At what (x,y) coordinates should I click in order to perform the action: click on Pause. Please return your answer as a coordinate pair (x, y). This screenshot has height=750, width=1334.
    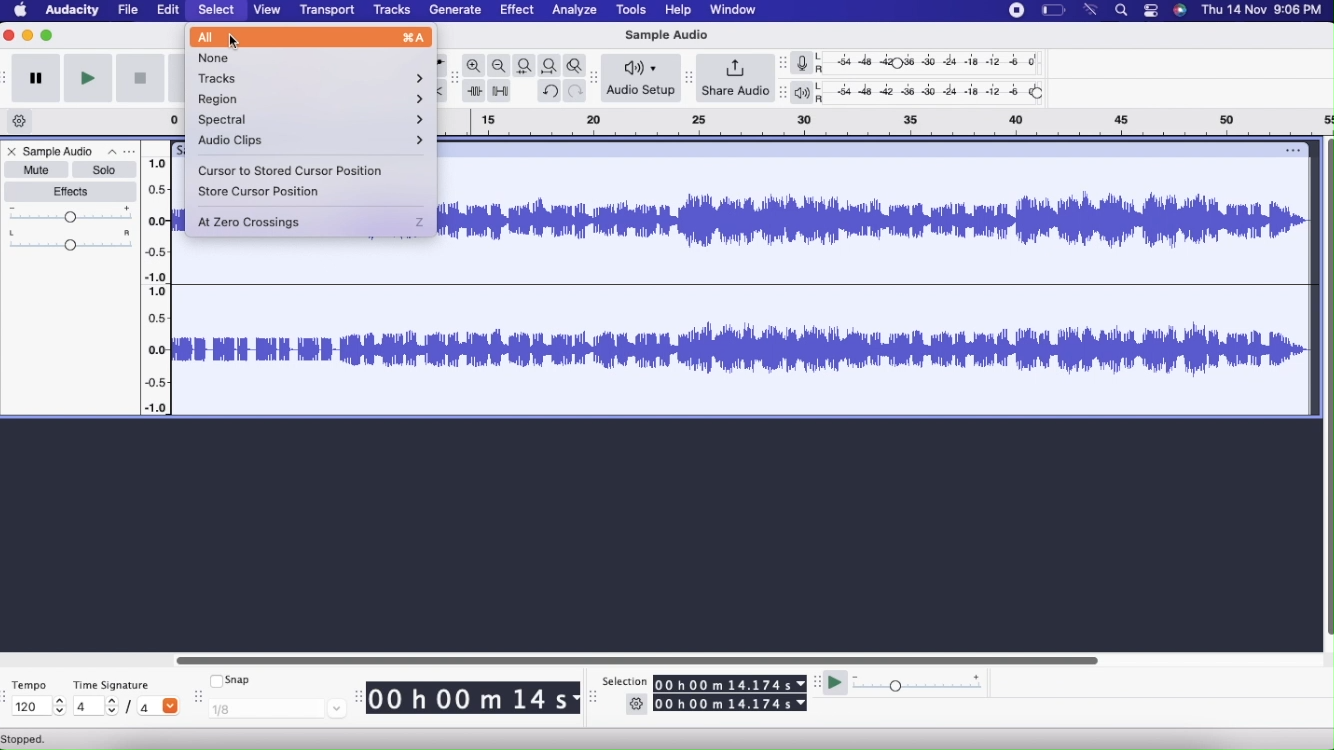
    Looking at the image, I should click on (37, 79).